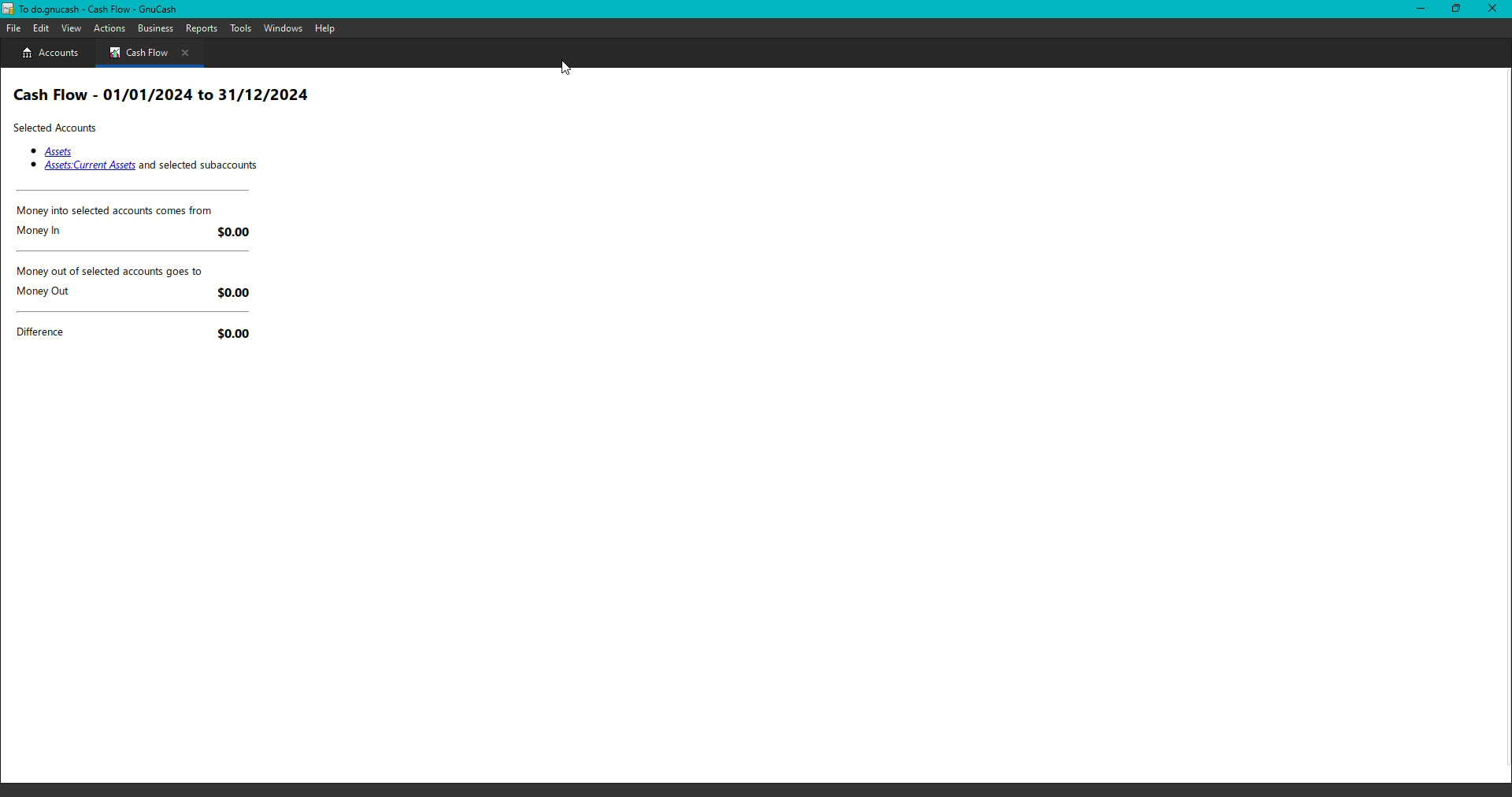 This screenshot has height=797, width=1512. I want to click on Money In, so click(43, 232).